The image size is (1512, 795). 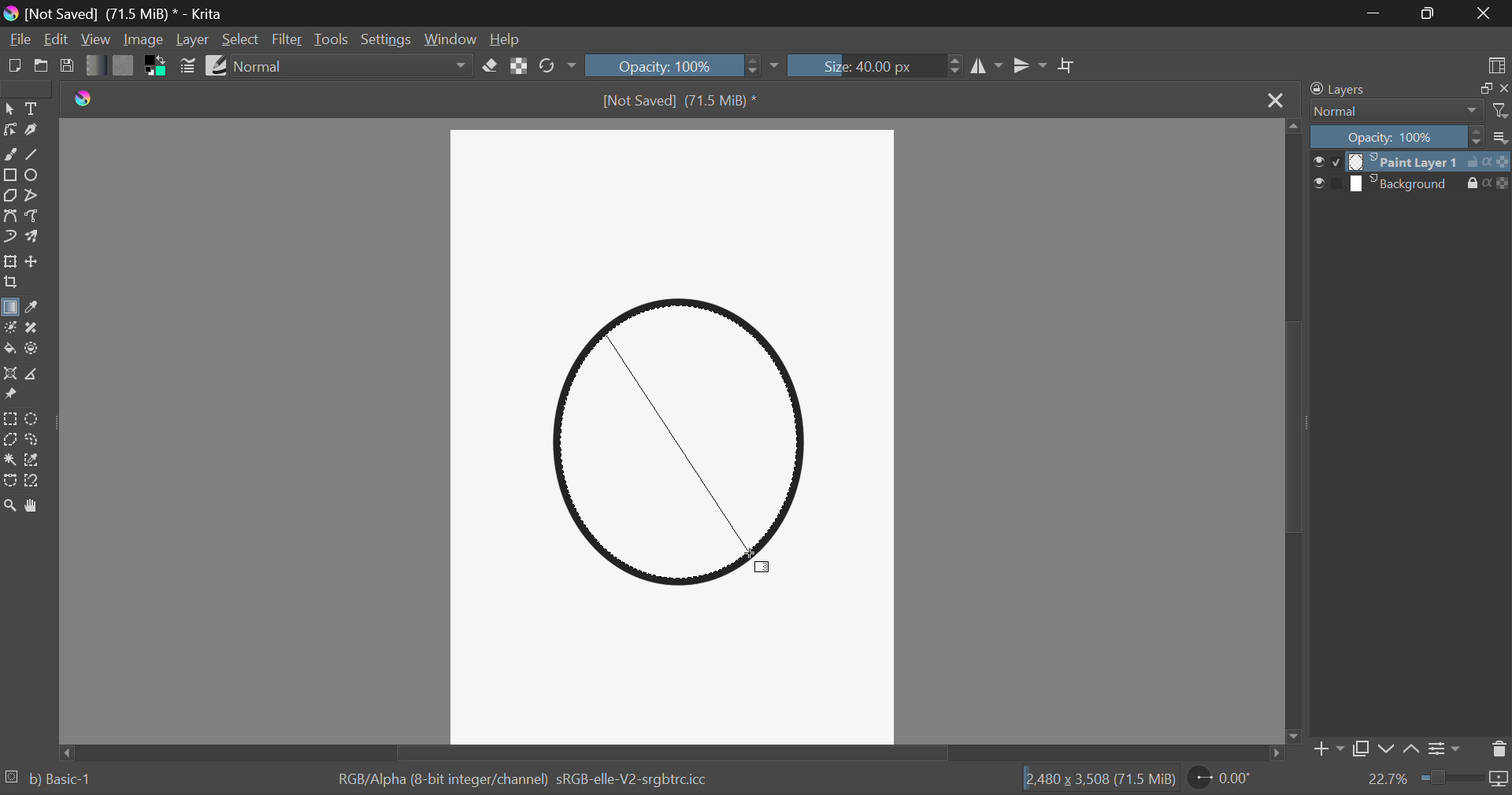 I want to click on Freehand Selection, so click(x=36, y=438).